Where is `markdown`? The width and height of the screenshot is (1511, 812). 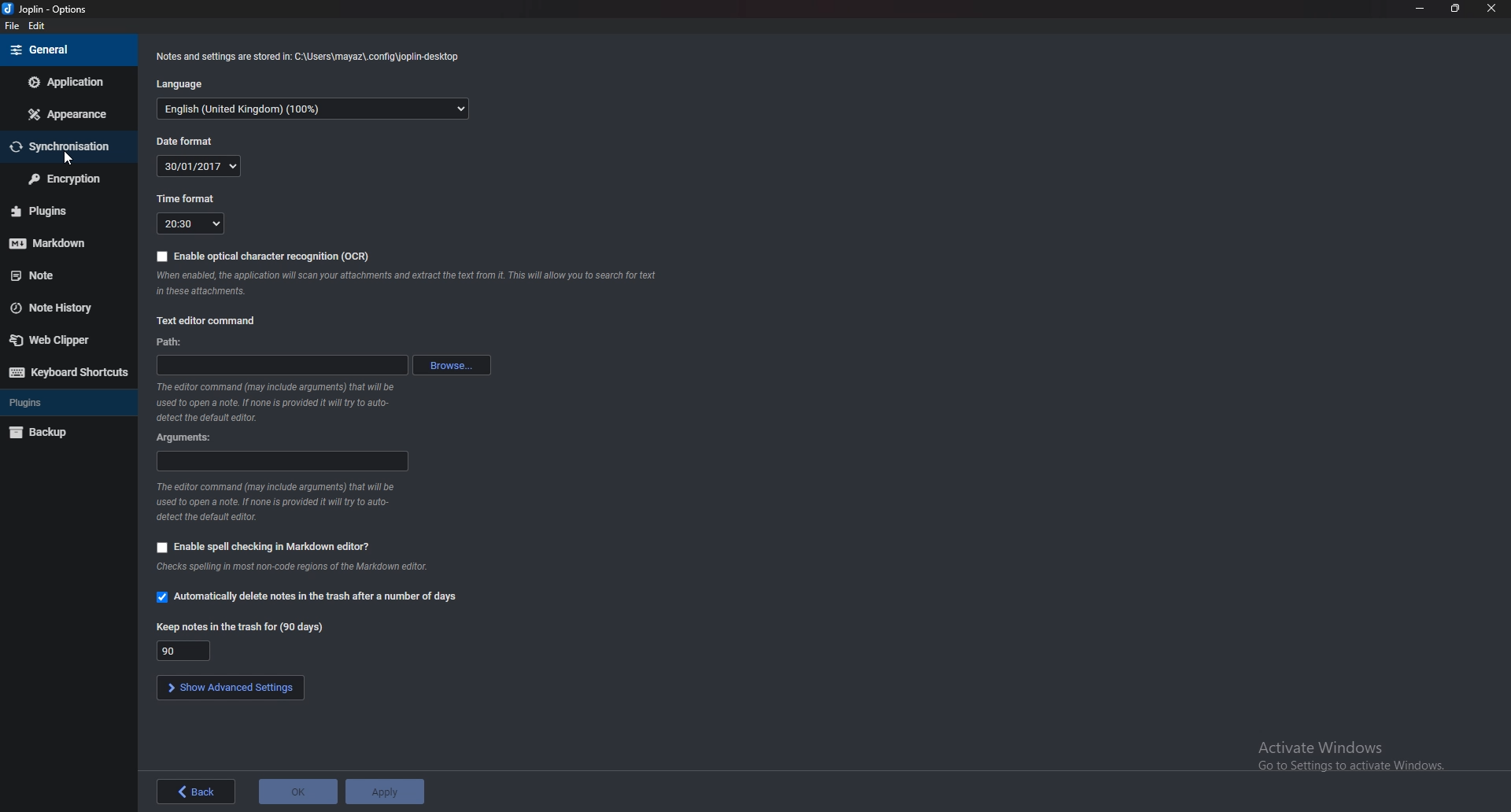
markdown is located at coordinates (63, 243).